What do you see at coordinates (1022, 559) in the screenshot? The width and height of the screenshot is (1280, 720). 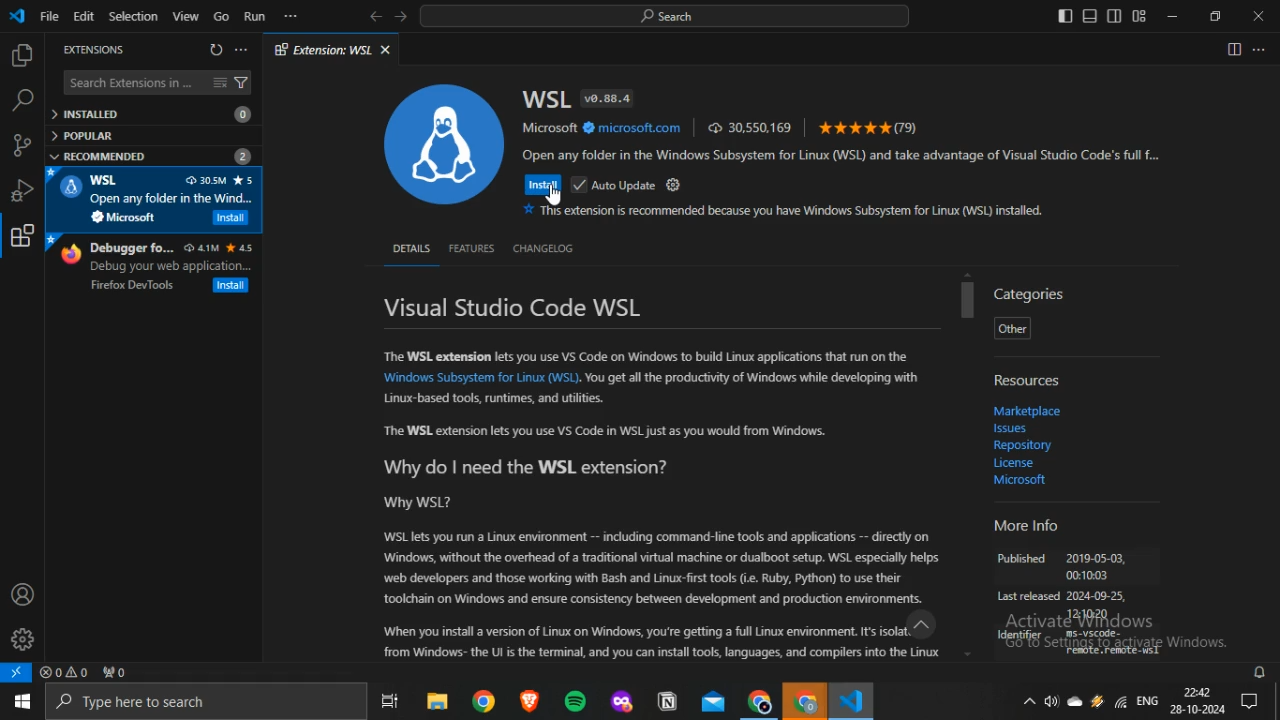 I see `Published` at bounding box center [1022, 559].